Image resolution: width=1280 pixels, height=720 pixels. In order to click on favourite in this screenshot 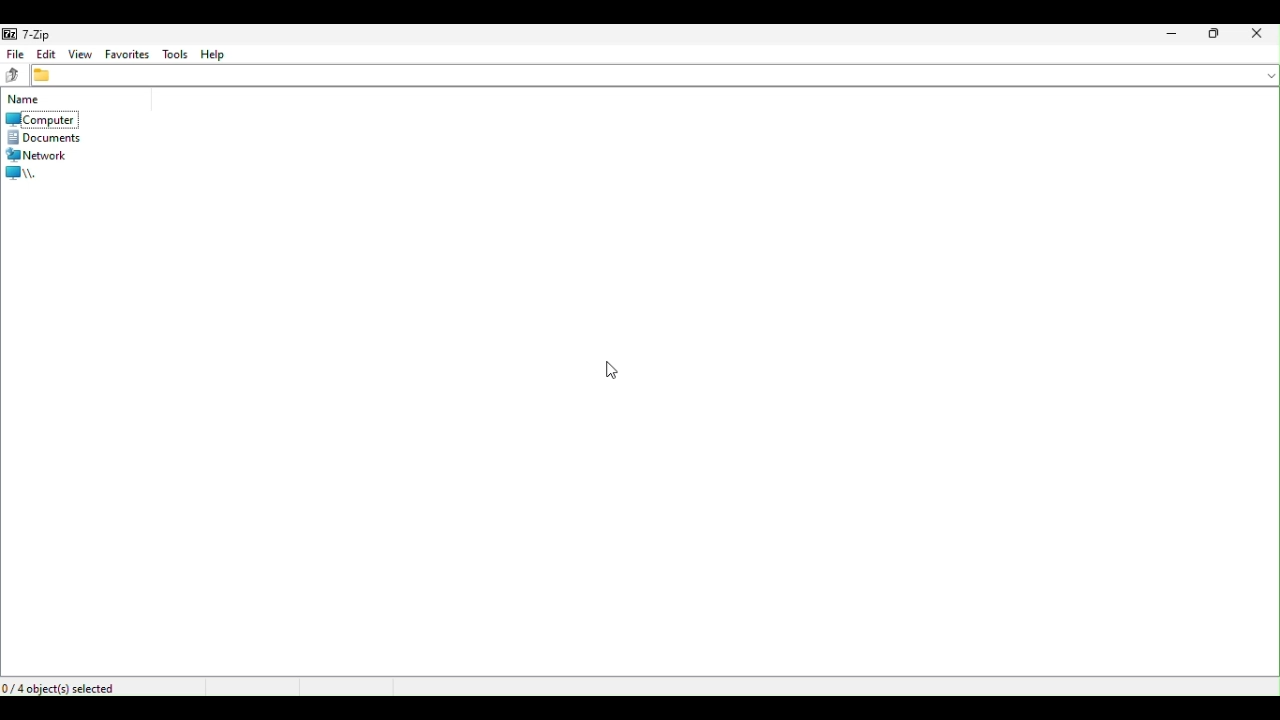, I will do `click(127, 53)`.